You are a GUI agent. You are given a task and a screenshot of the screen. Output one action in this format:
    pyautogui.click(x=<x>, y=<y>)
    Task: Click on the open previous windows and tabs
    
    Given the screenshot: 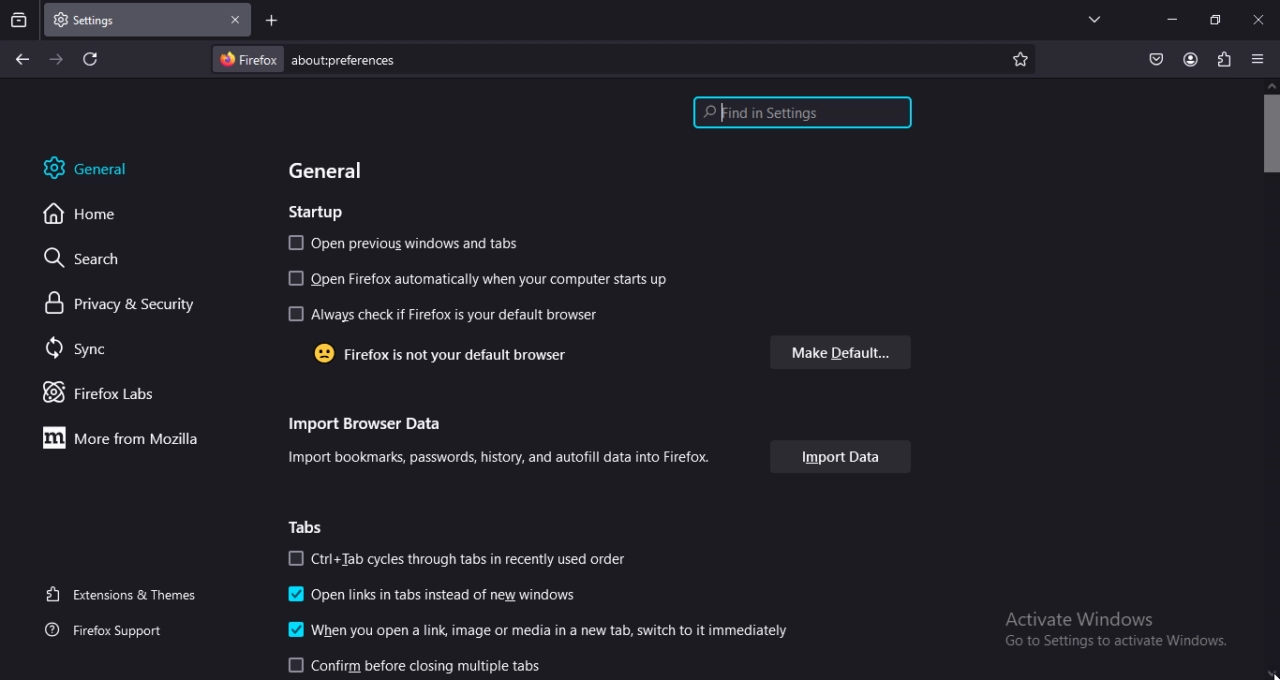 What is the action you would take?
    pyautogui.click(x=404, y=242)
    